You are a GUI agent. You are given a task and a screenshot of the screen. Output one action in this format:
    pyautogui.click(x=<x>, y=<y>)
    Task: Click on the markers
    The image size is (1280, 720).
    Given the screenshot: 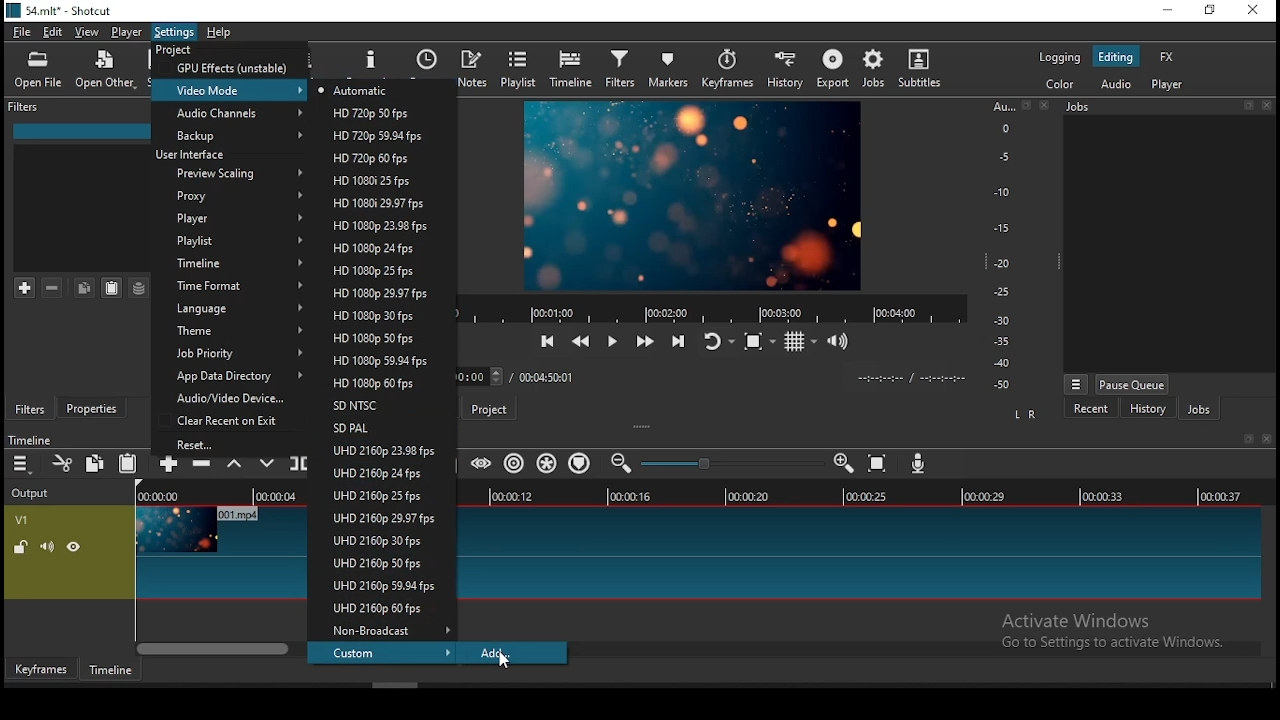 What is the action you would take?
    pyautogui.click(x=668, y=68)
    